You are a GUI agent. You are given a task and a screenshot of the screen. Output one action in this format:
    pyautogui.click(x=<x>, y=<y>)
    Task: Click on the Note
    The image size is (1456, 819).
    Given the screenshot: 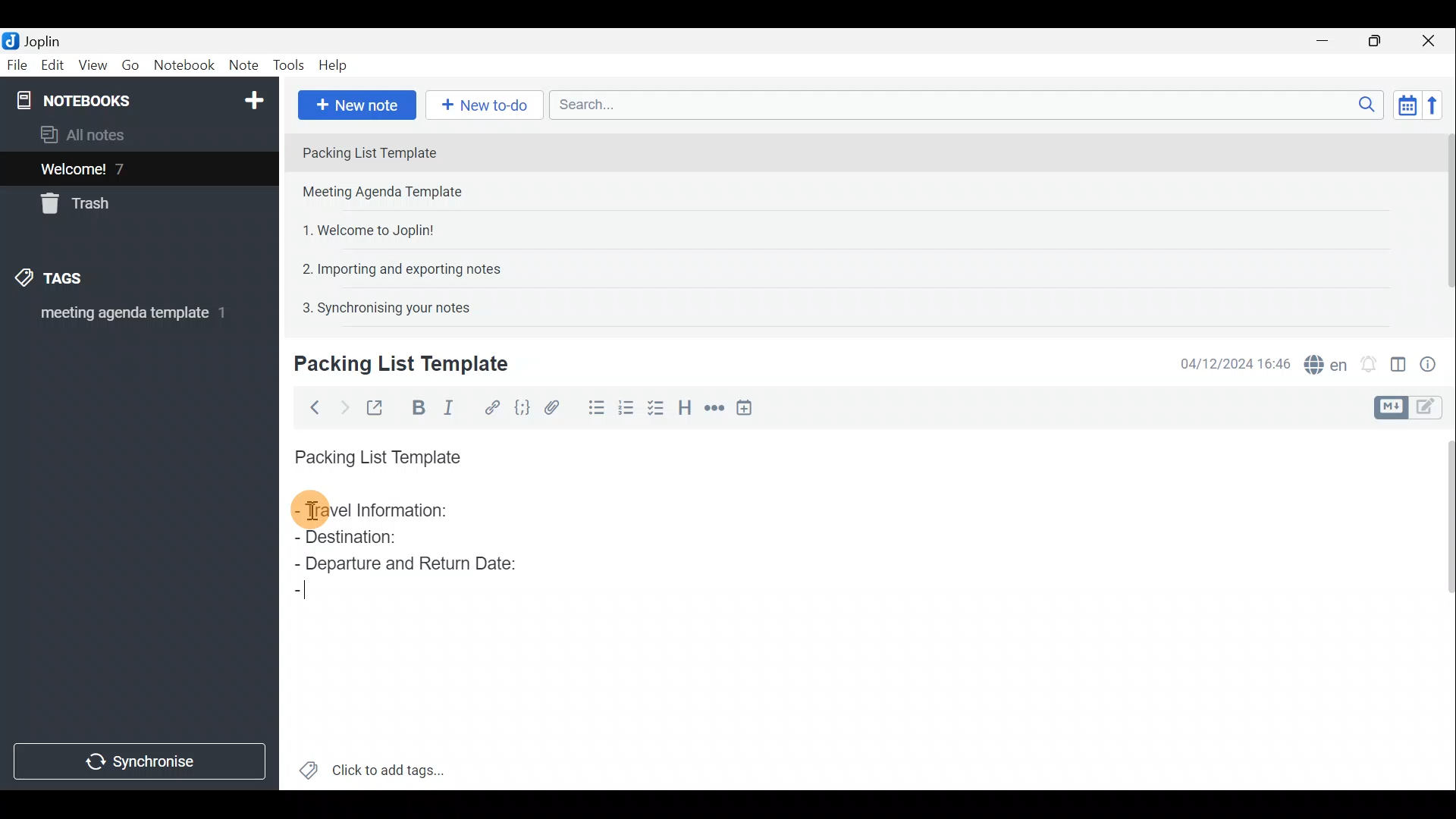 What is the action you would take?
    pyautogui.click(x=243, y=66)
    